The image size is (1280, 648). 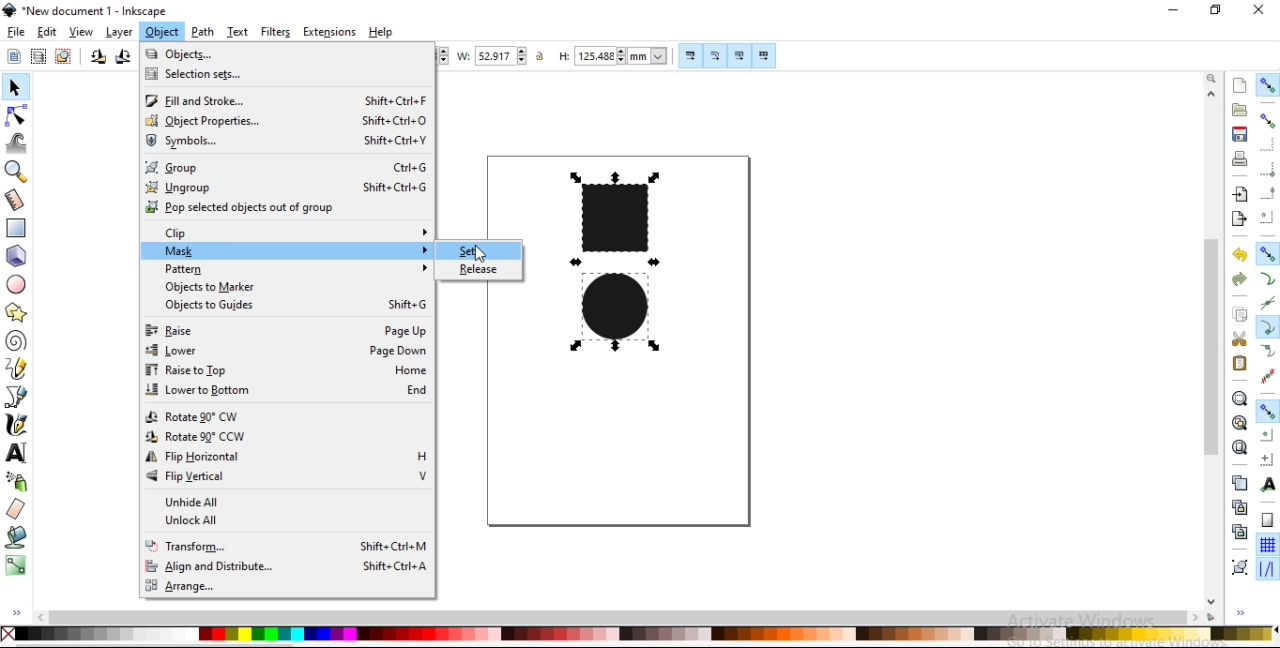 I want to click on view, so click(x=80, y=32).